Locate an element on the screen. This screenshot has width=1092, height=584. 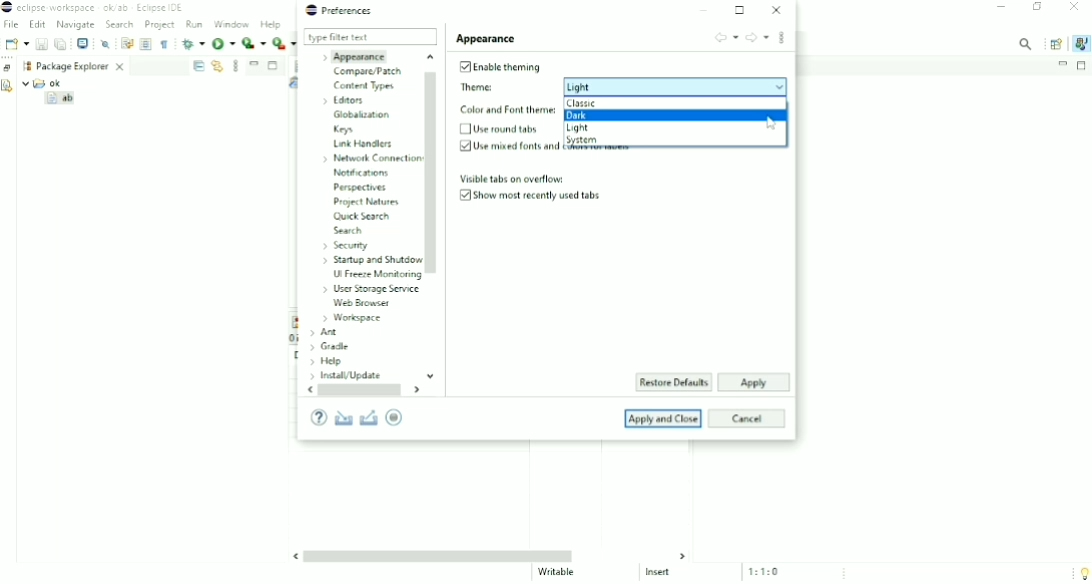
Workspace is located at coordinates (25, 66).